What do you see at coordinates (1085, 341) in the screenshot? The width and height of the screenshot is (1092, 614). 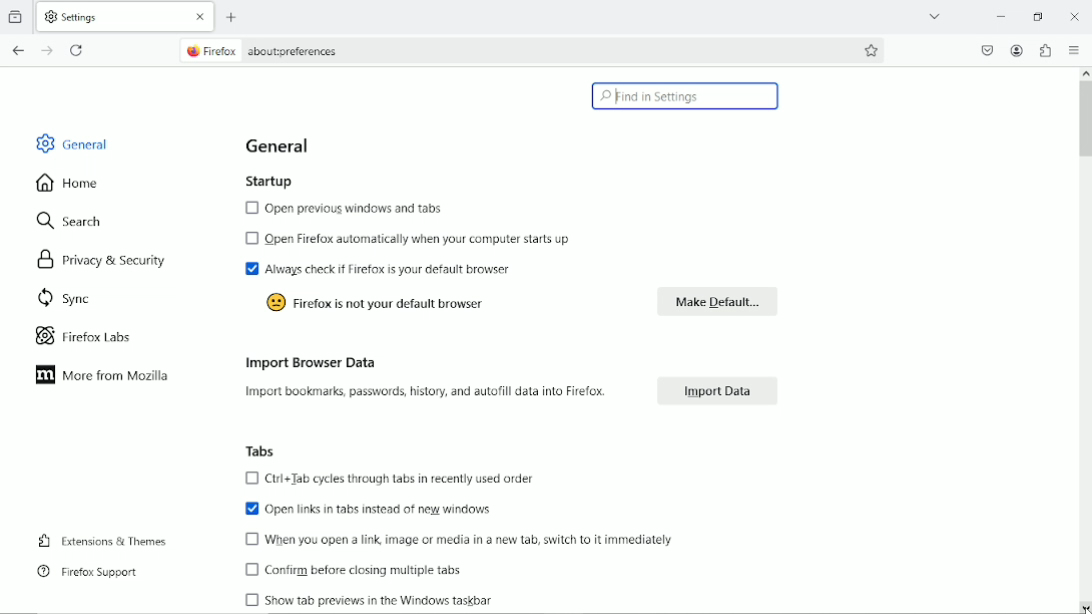 I see `vertical scroll bar` at bounding box center [1085, 341].